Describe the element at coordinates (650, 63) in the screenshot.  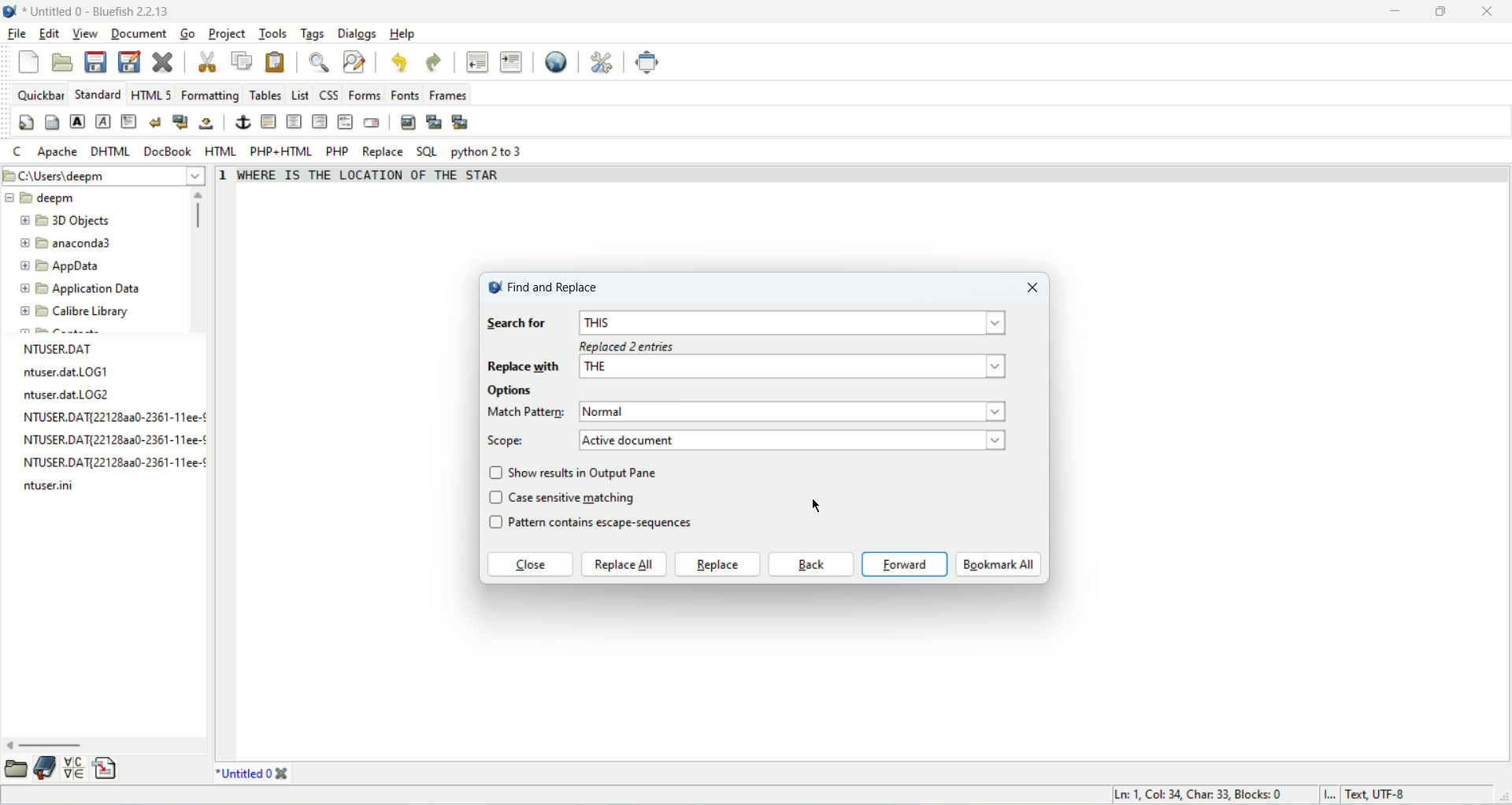
I see `fullscreen` at that location.